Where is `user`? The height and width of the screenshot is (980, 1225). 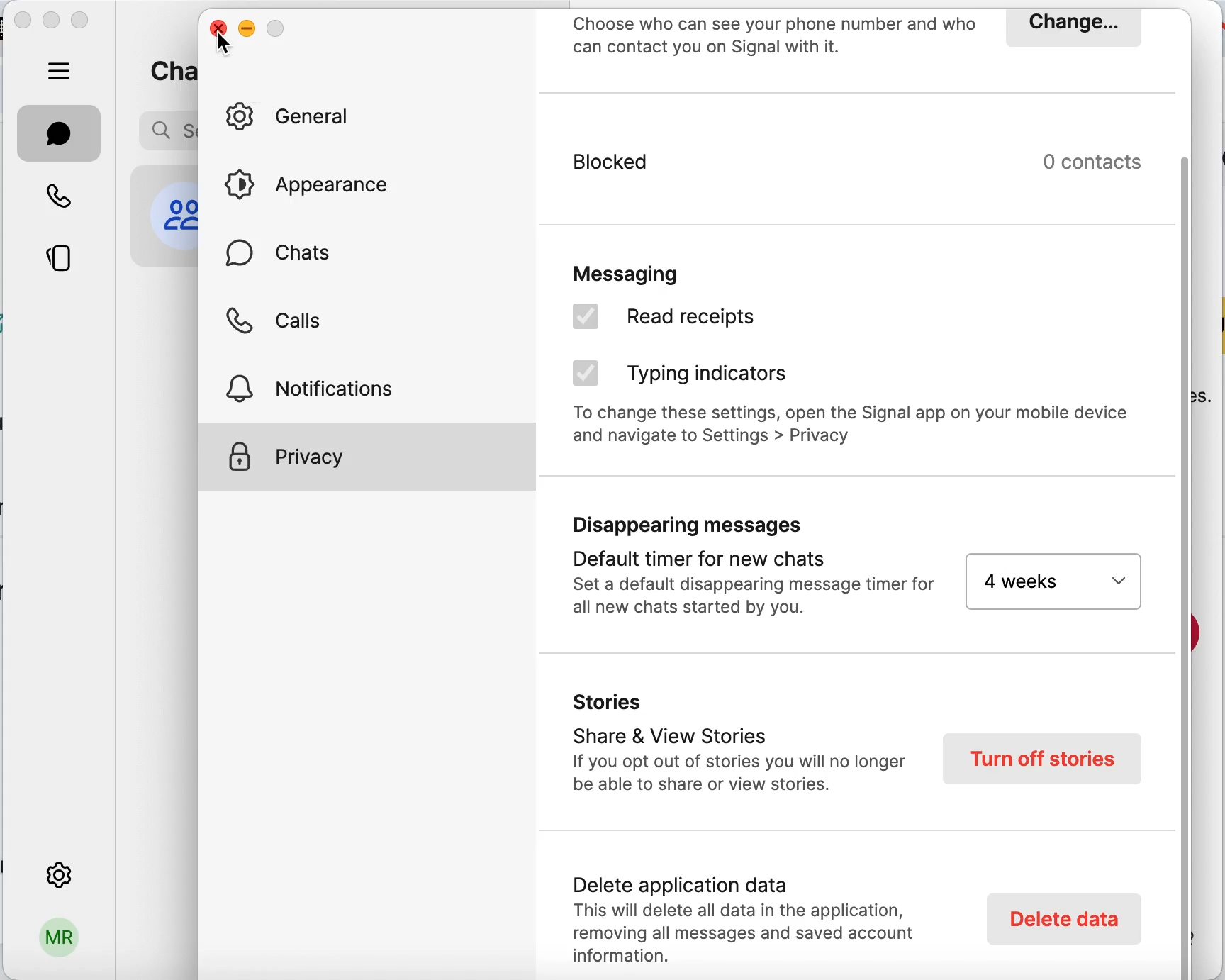 user is located at coordinates (57, 943).